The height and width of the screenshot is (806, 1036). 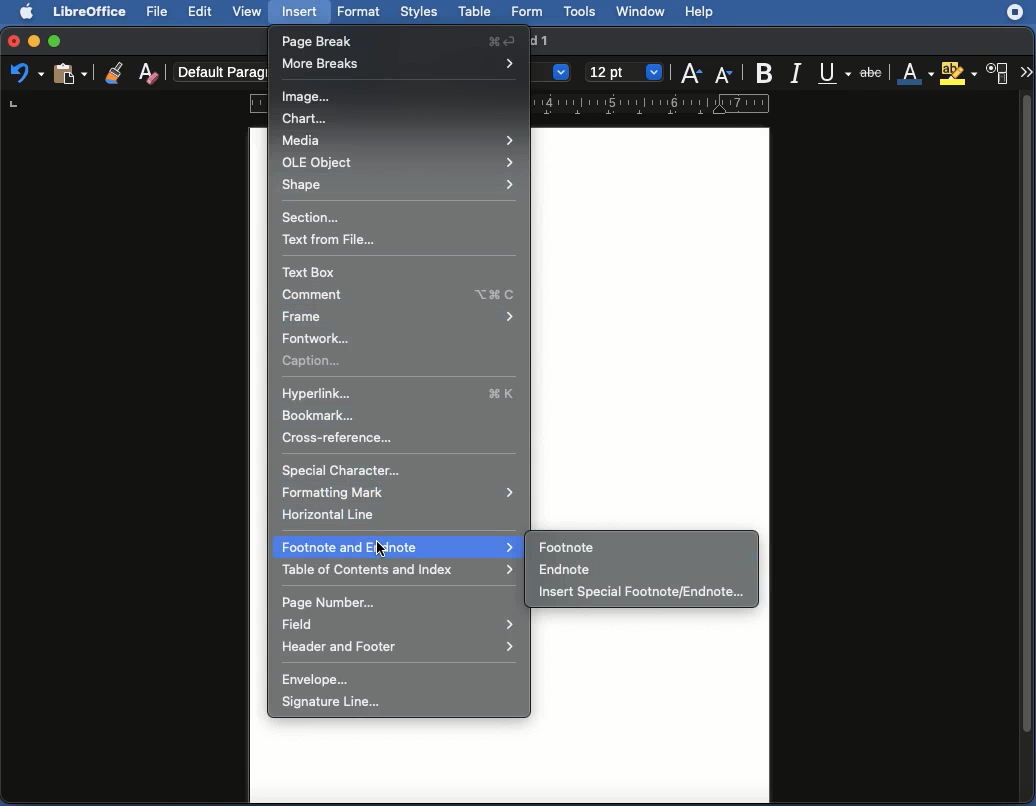 What do you see at coordinates (404, 492) in the screenshot?
I see `Formatting mark` at bounding box center [404, 492].